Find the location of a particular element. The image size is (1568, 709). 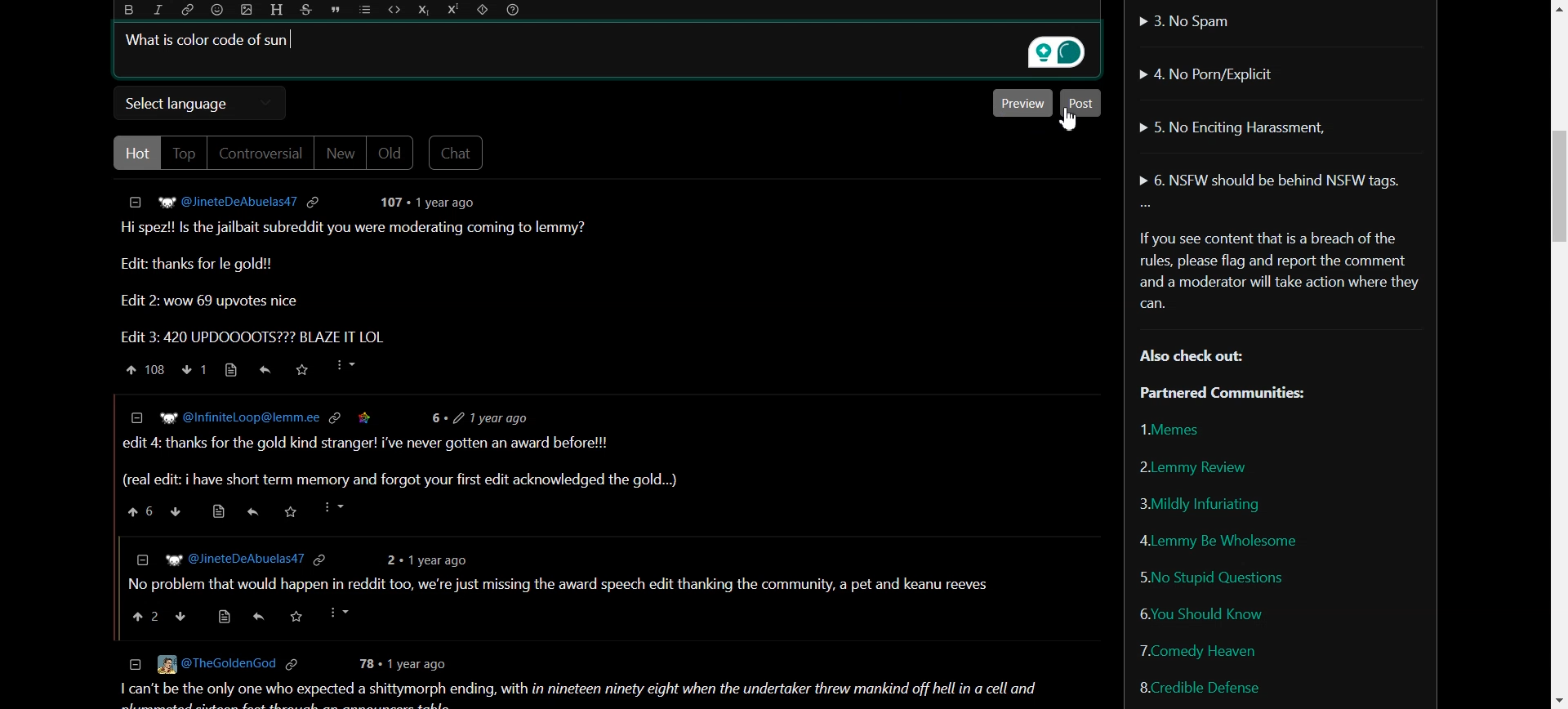

Controversial is located at coordinates (261, 153).